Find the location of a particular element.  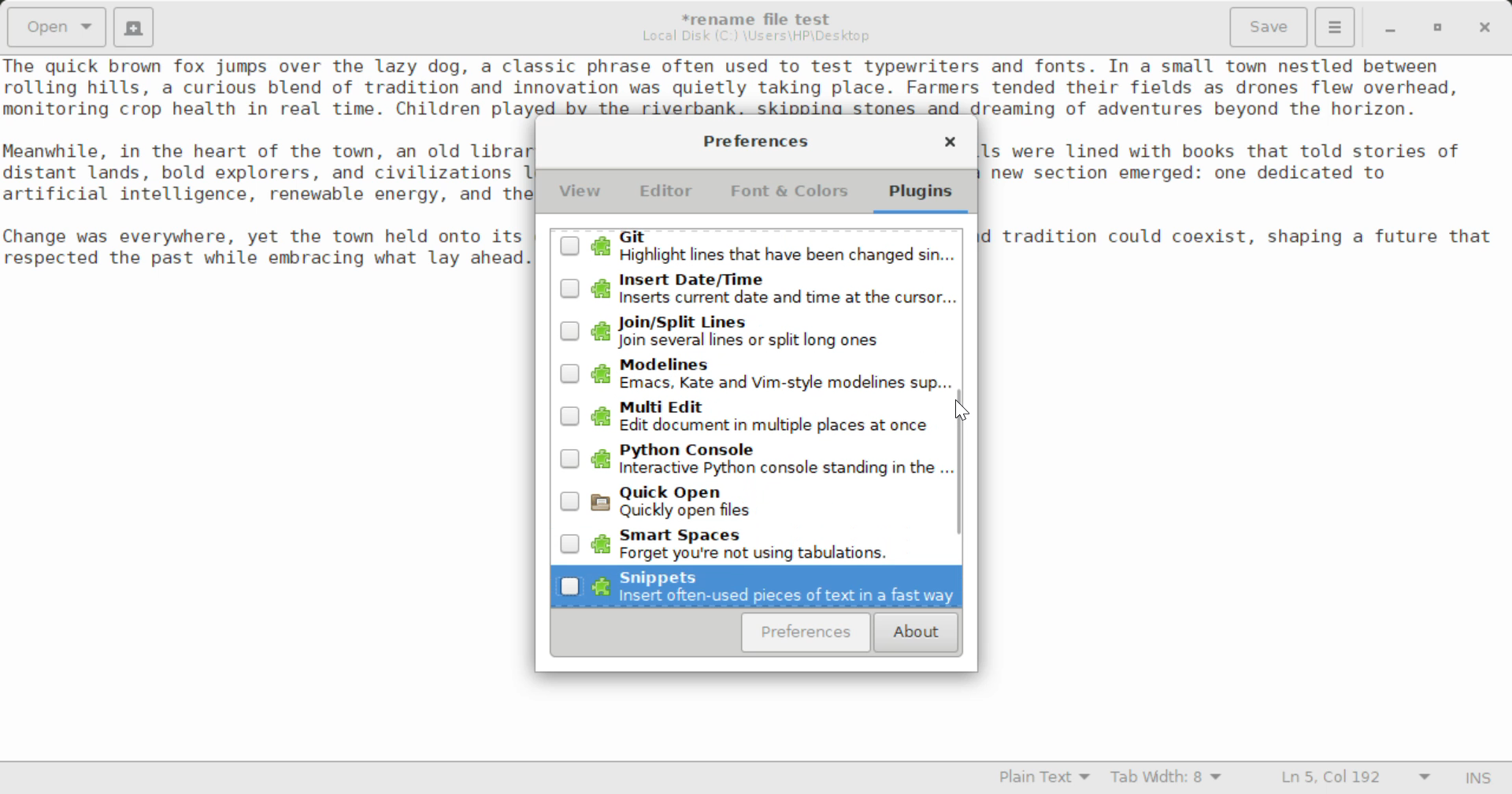

Unselected Join/Split Lines Plugin is located at coordinates (754, 332).